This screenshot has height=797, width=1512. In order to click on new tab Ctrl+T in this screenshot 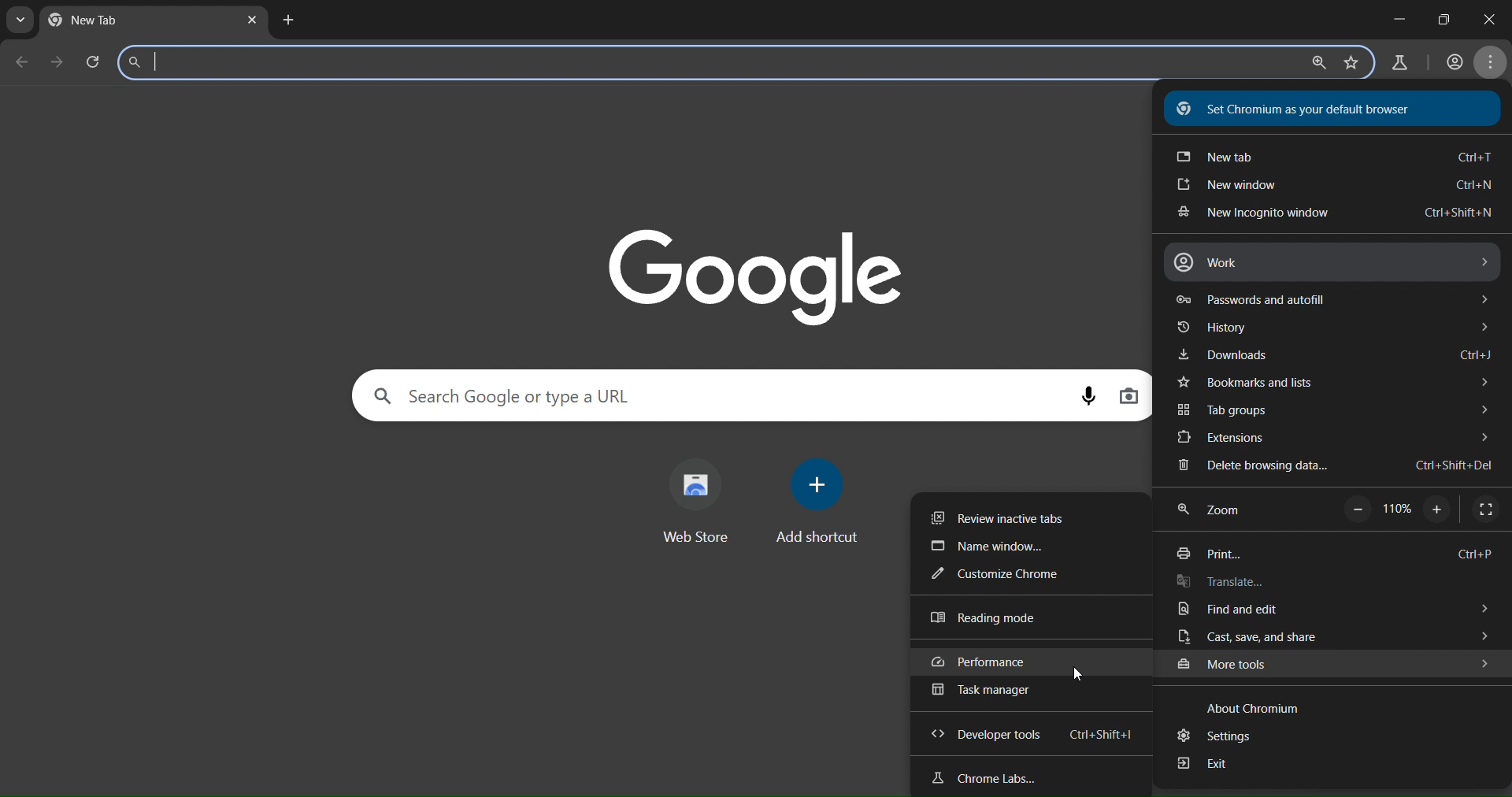, I will do `click(1332, 159)`.